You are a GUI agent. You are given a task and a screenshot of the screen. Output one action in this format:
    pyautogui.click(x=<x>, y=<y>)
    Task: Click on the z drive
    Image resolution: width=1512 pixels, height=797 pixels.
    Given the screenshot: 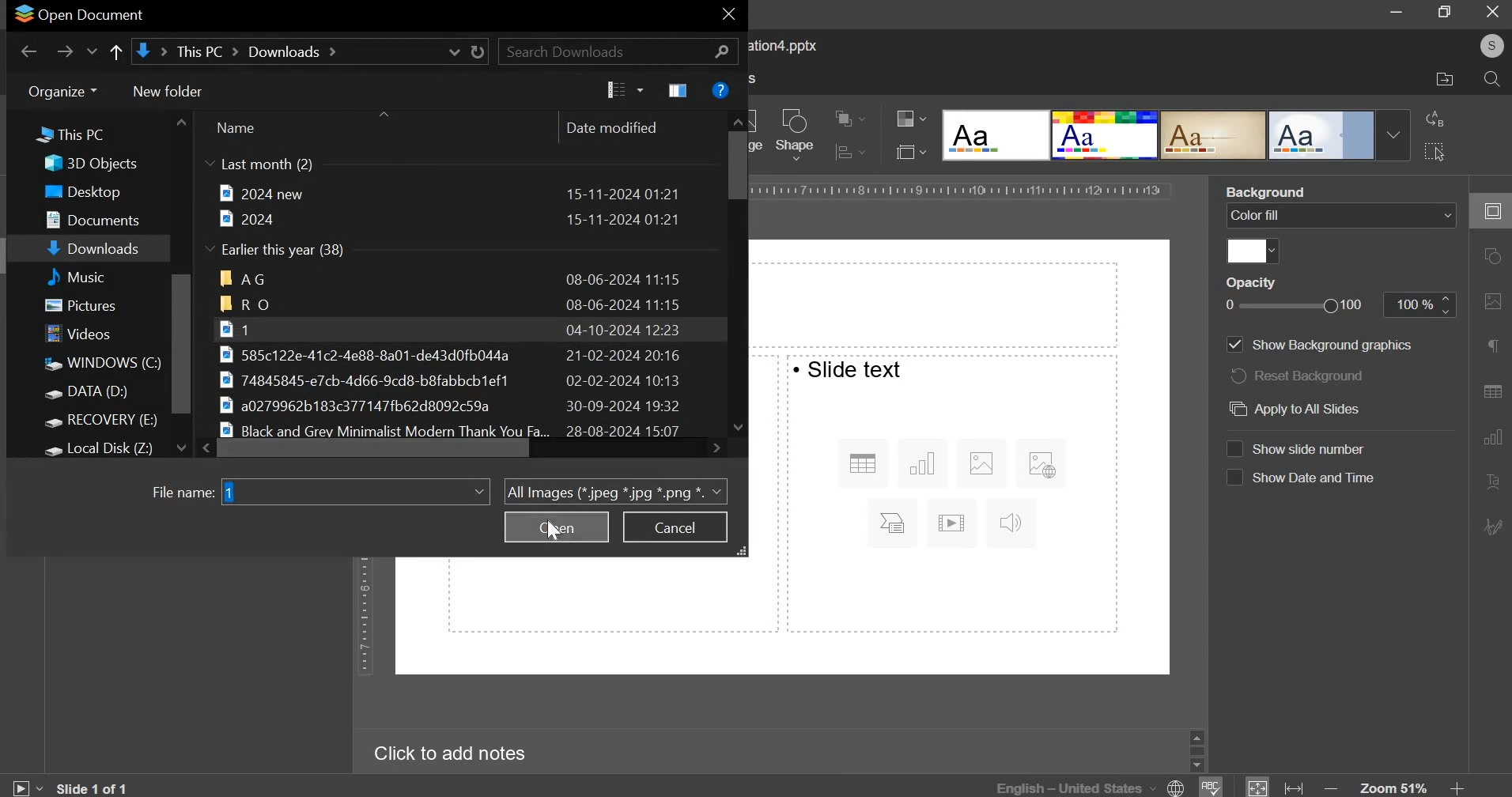 What is the action you would take?
    pyautogui.click(x=112, y=447)
    